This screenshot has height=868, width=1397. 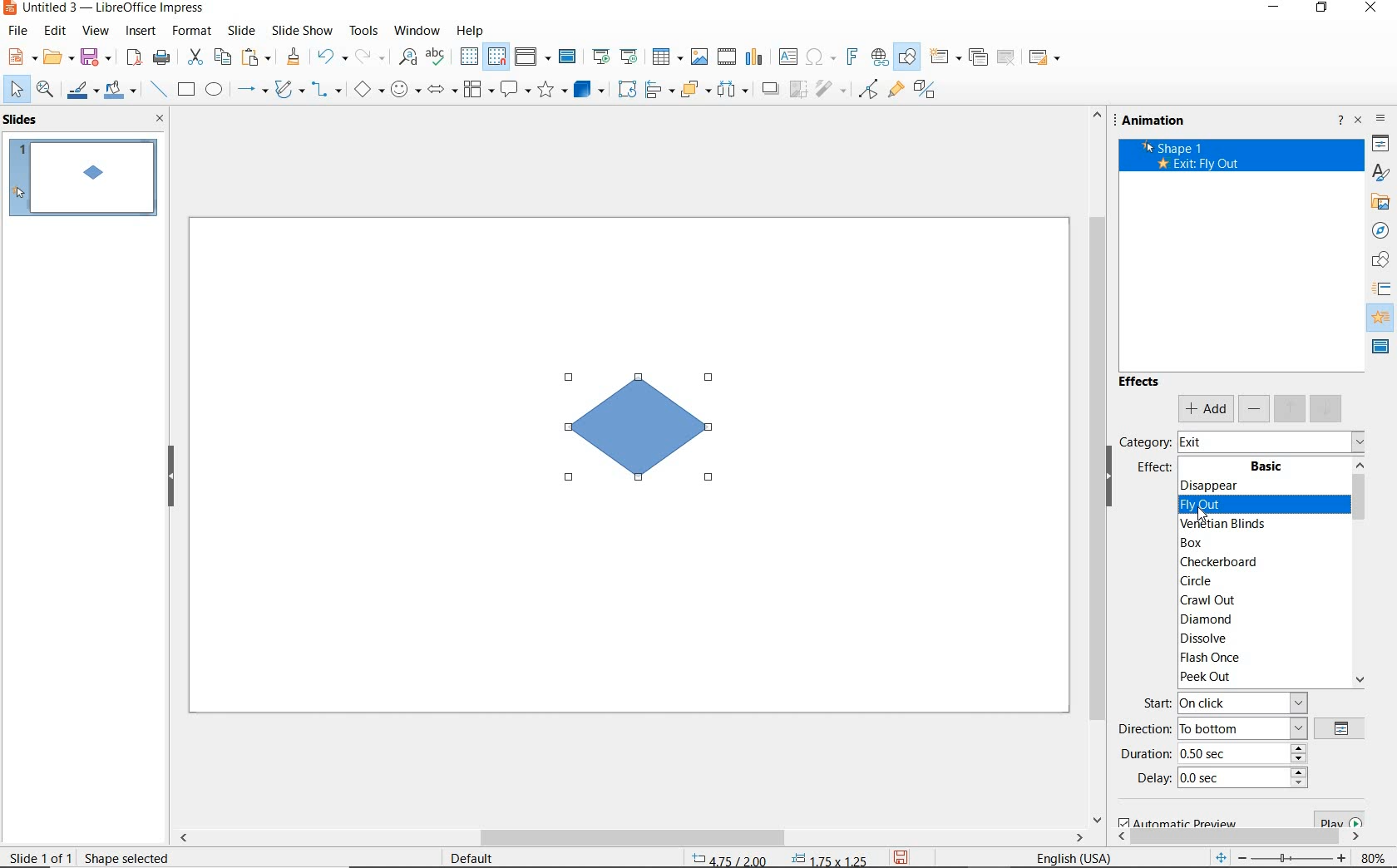 I want to click on hide, so click(x=1109, y=477).